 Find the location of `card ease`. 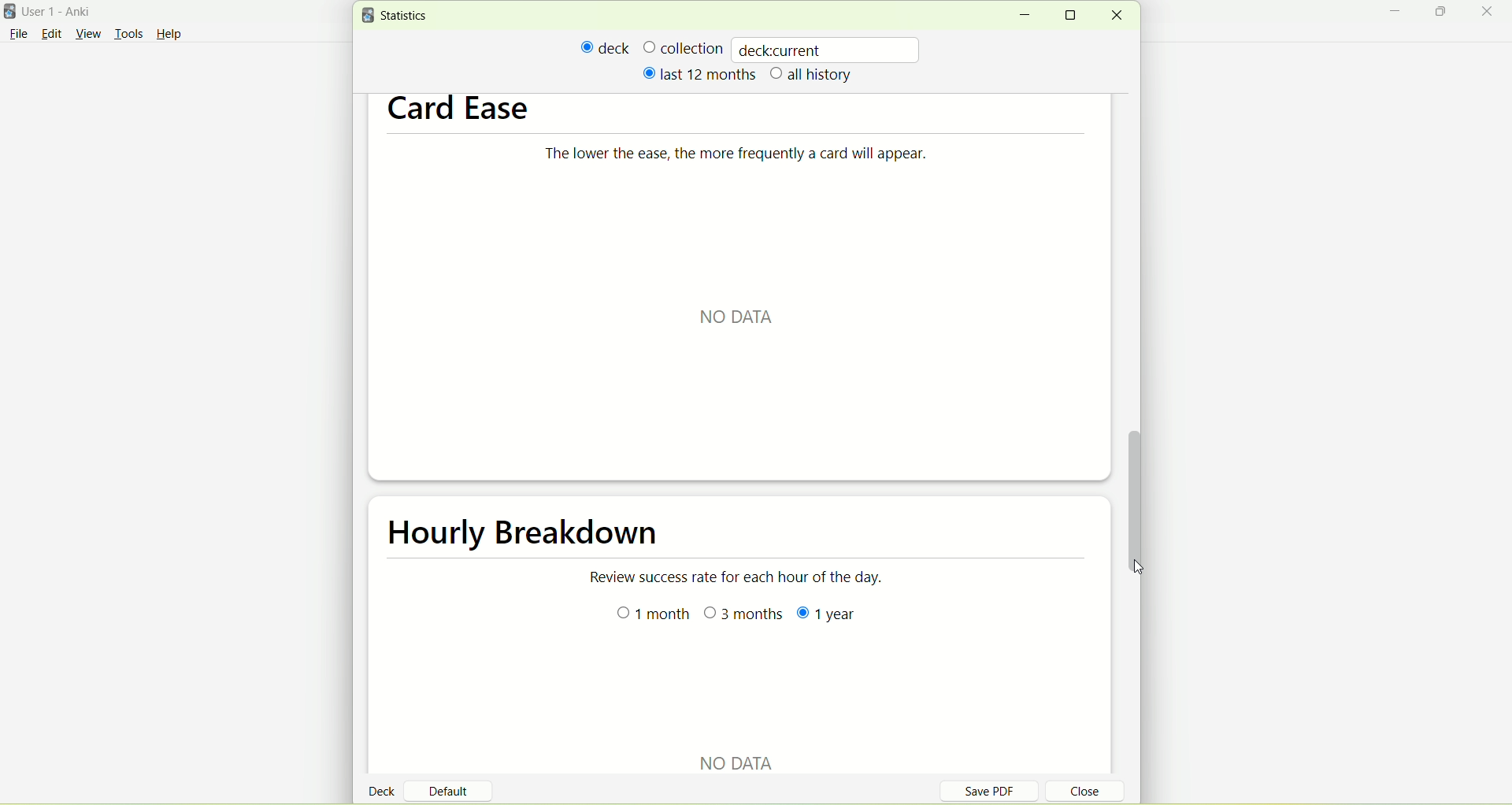

card ease is located at coordinates (459, 109).